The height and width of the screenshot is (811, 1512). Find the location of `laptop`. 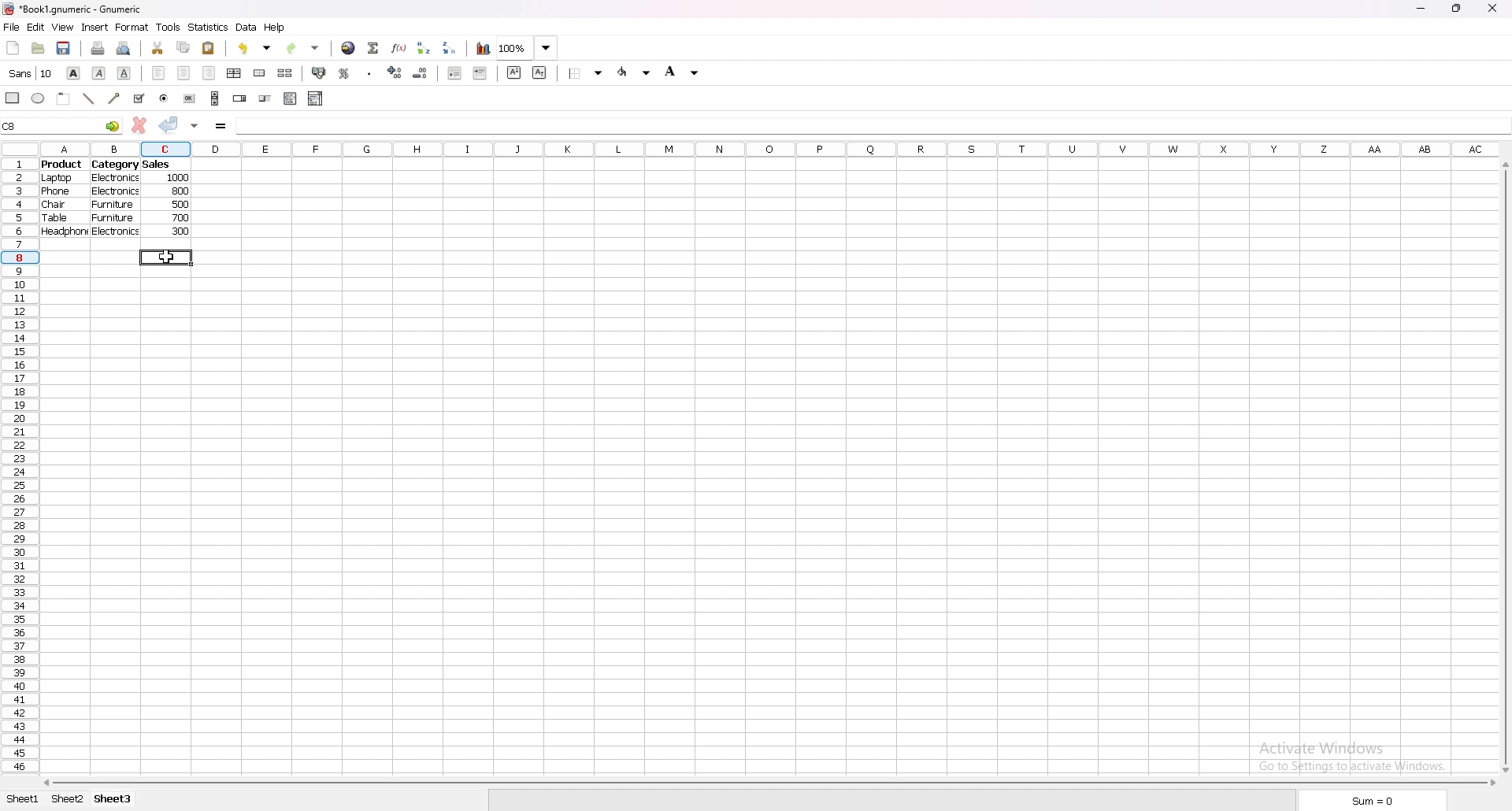

laptop is located at coordinates (60, 178).